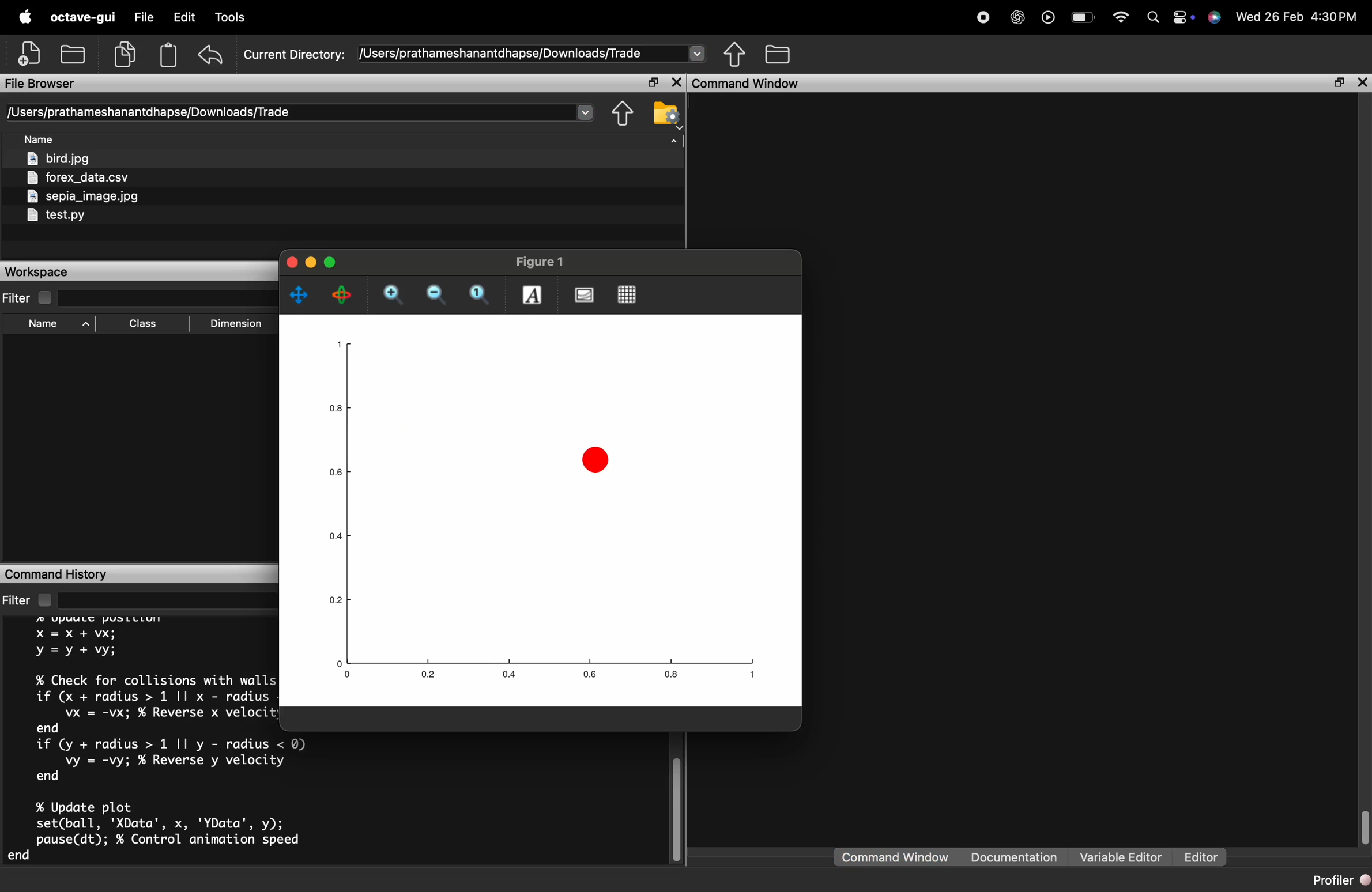 Image resolution: width=1372 pixels, height=892 pixels. I want to click on figure 1, so click(541, 261).